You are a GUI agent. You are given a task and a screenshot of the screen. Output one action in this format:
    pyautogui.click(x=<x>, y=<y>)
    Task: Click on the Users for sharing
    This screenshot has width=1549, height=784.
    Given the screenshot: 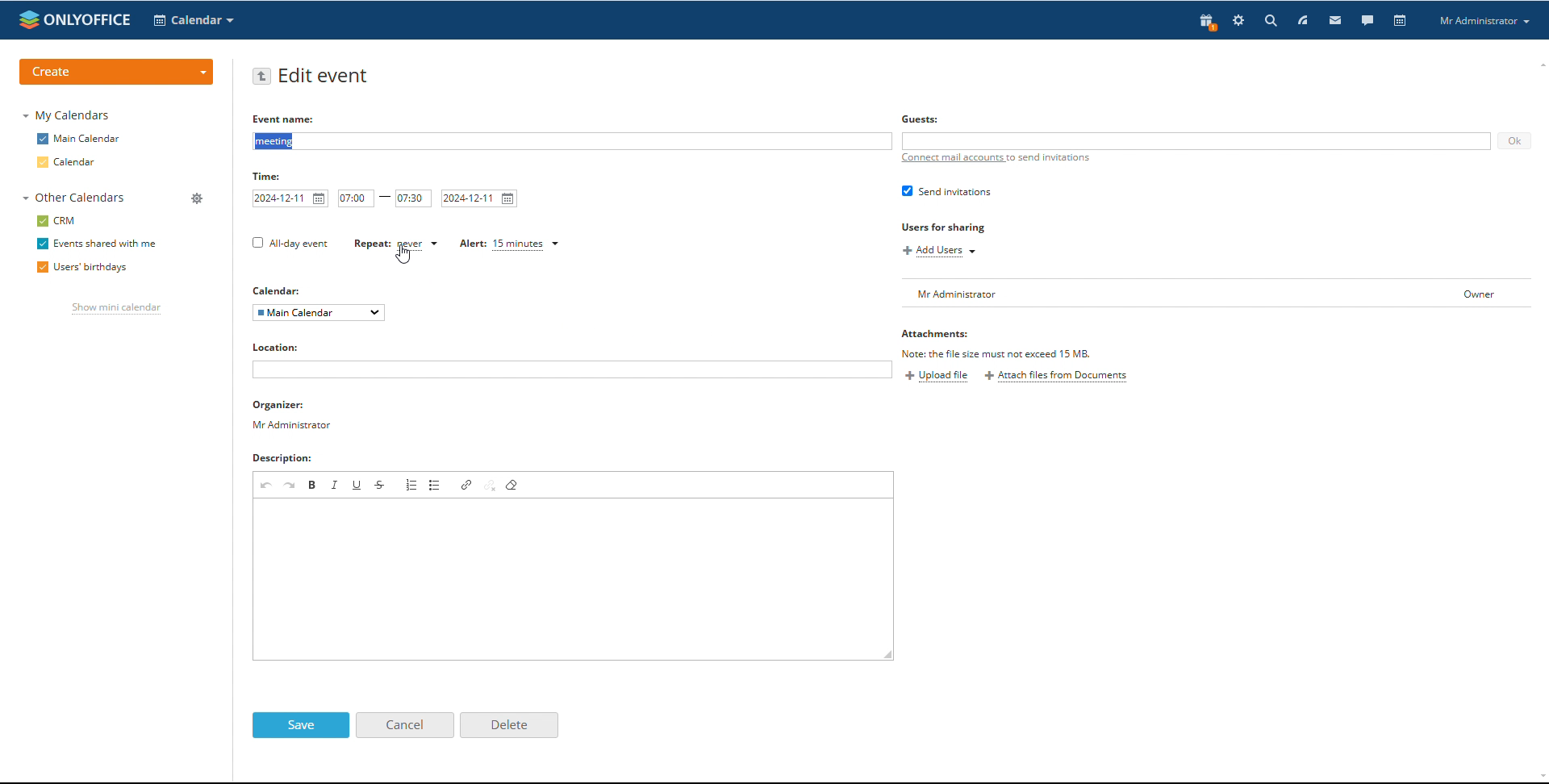 What is the action you would take?
    pyautogui.click(x=946, y=228)
    